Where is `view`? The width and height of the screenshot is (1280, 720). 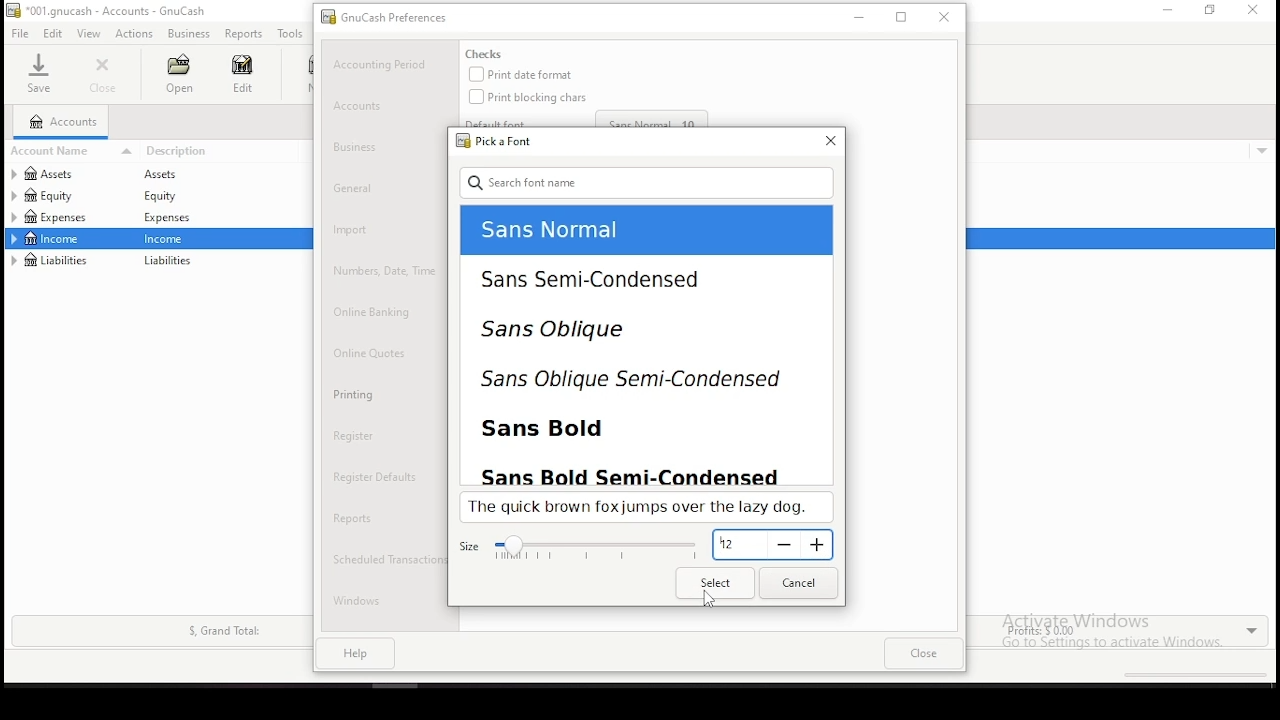 view is located at coordinates (89, 34).